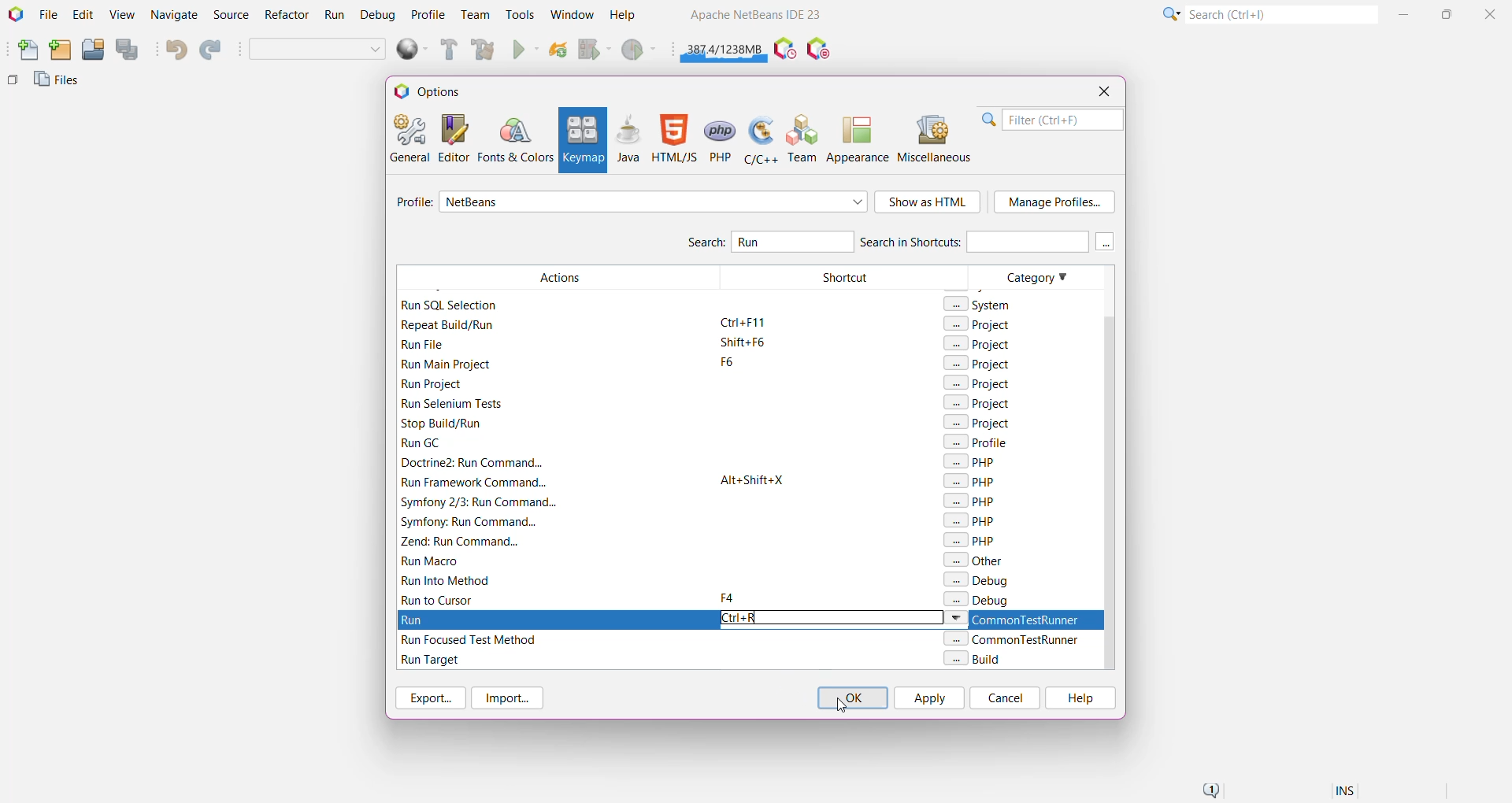  I want to click on Edit, so click(83, 16).